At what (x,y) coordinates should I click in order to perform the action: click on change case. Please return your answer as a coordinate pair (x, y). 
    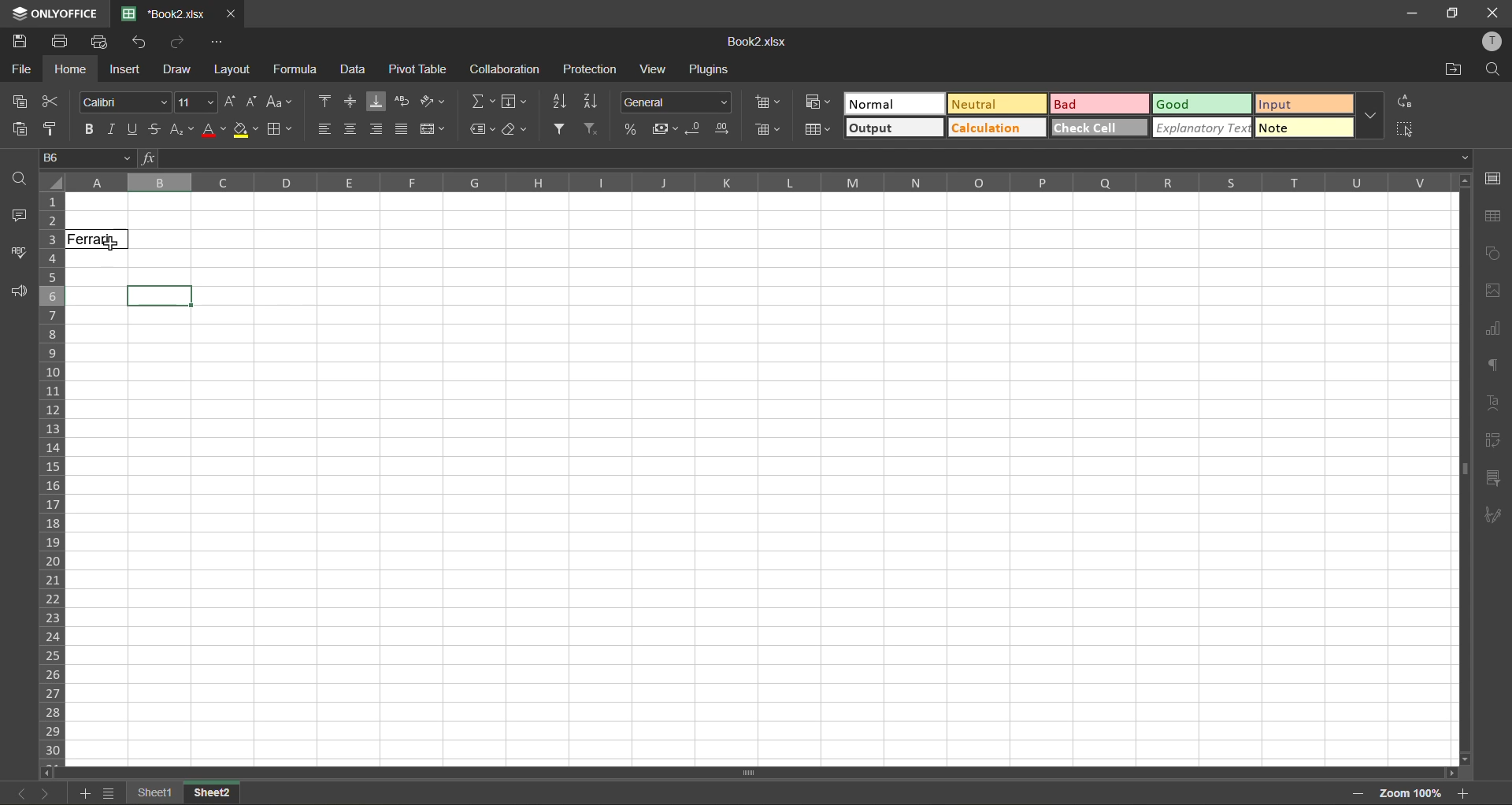
    Looking at the image, I should click on (280, 103).